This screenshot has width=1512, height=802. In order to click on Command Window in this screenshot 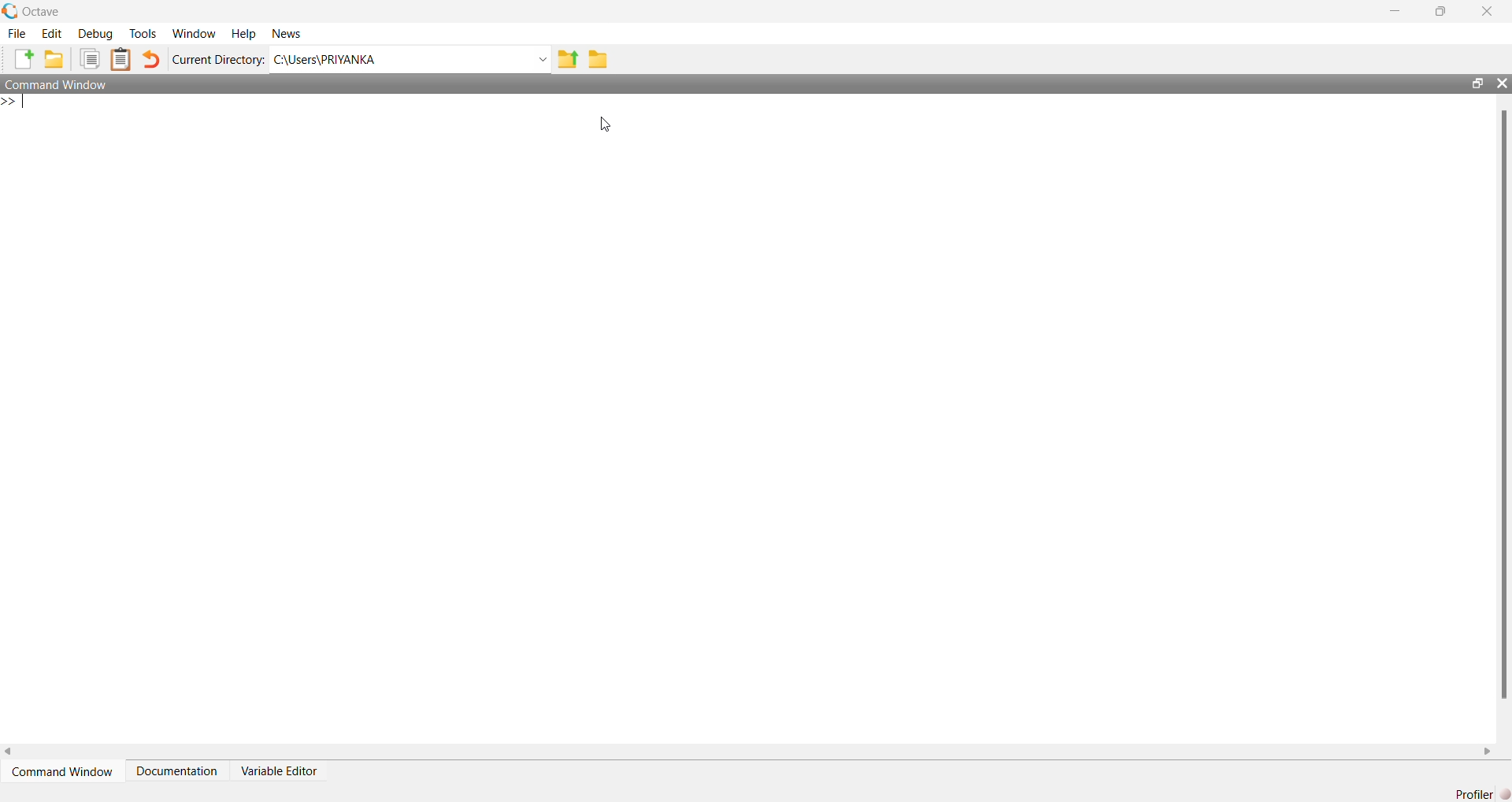, I will do `click(55, 84)`.